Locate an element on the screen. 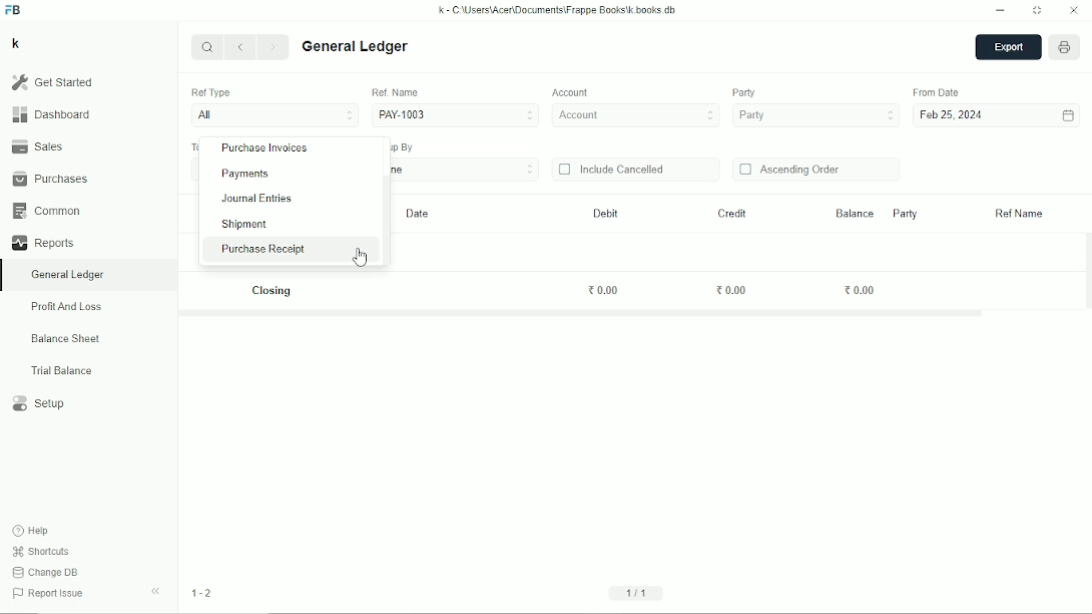 The image size is (1092, 614). Profit and loss is located at coordinates (66, 307).